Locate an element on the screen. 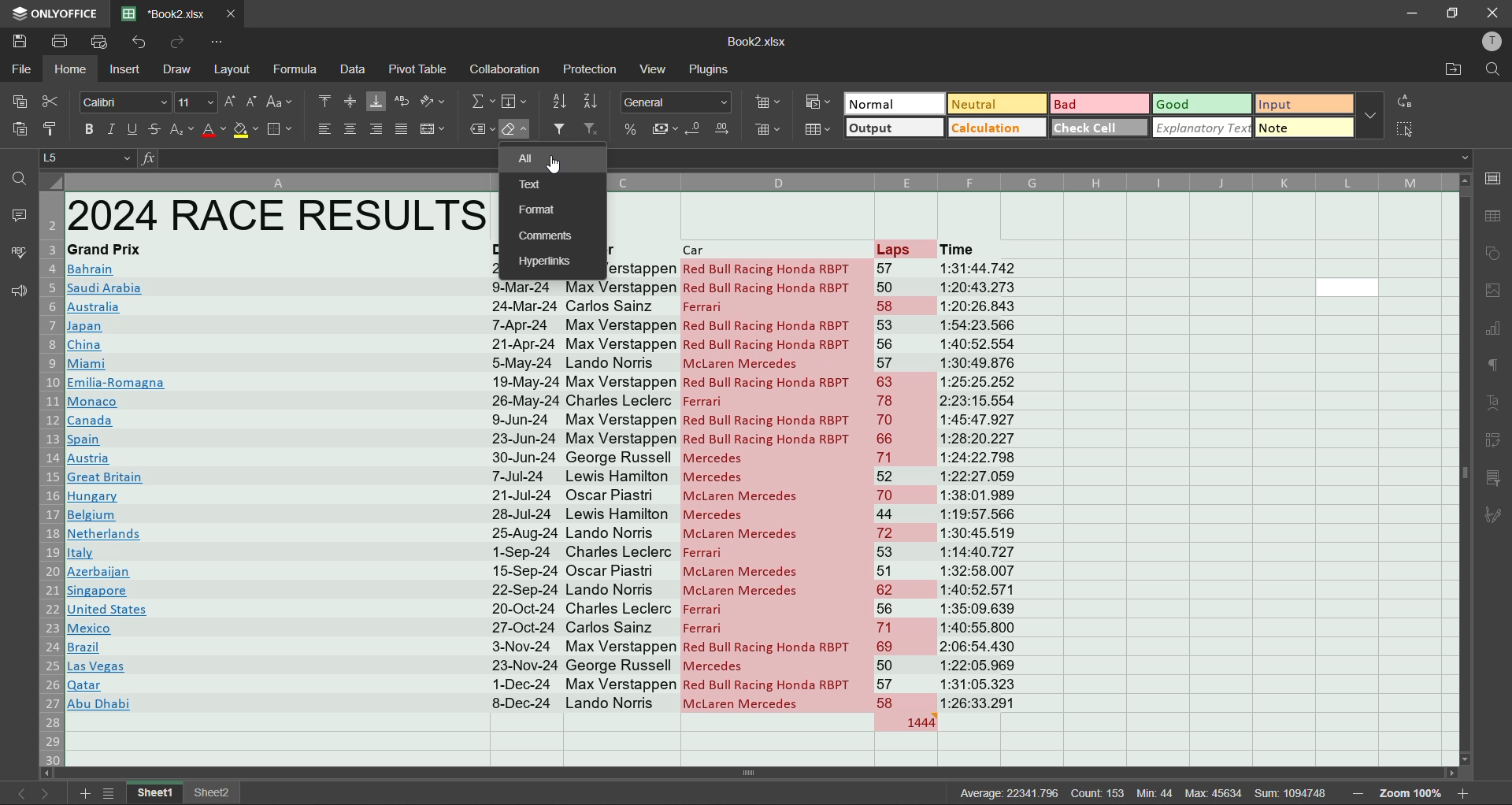  change case is located at coordinates (282, 103).